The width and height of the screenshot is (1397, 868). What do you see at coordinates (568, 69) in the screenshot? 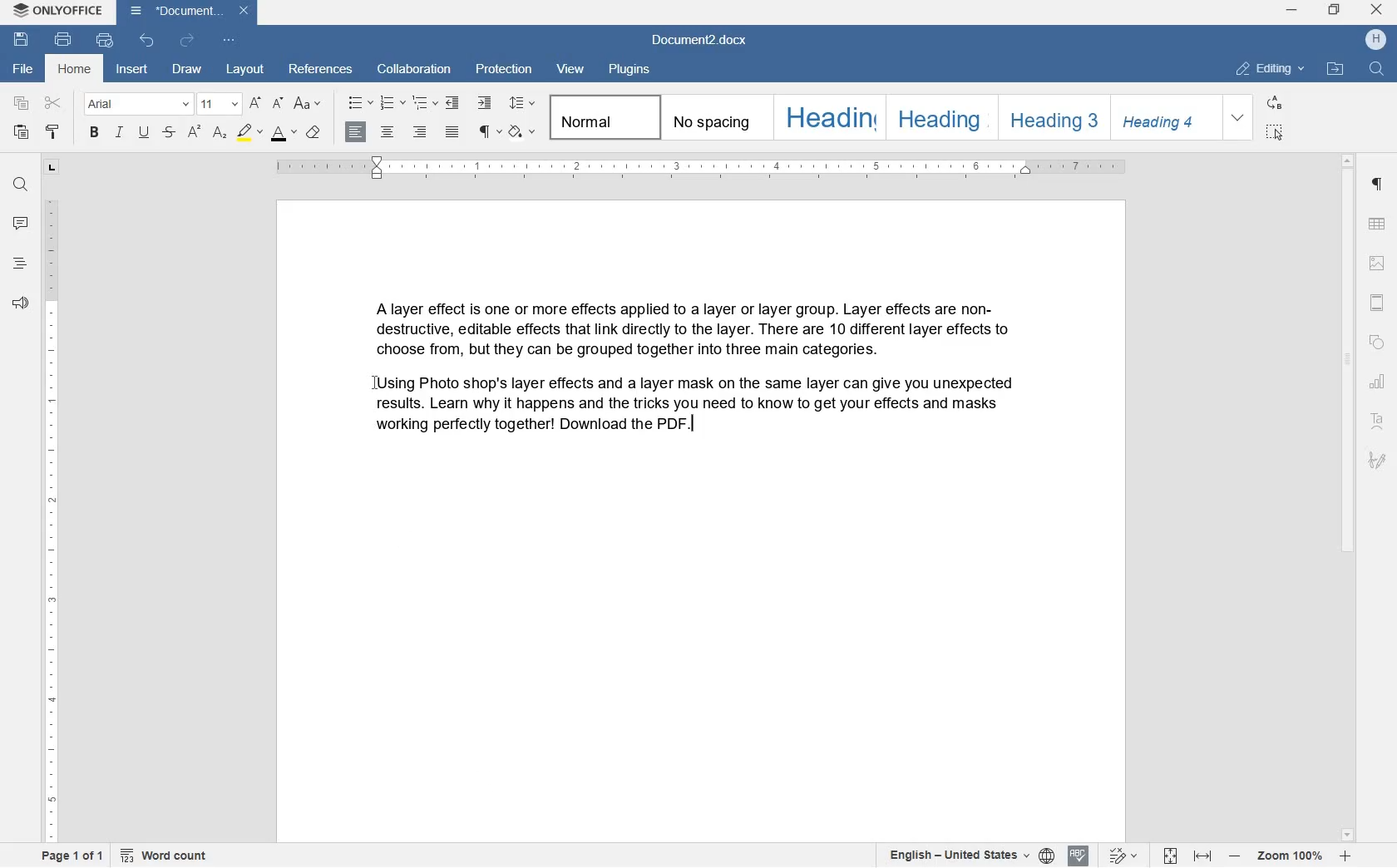
I see `VIEW` at bounding box center [568, 69].